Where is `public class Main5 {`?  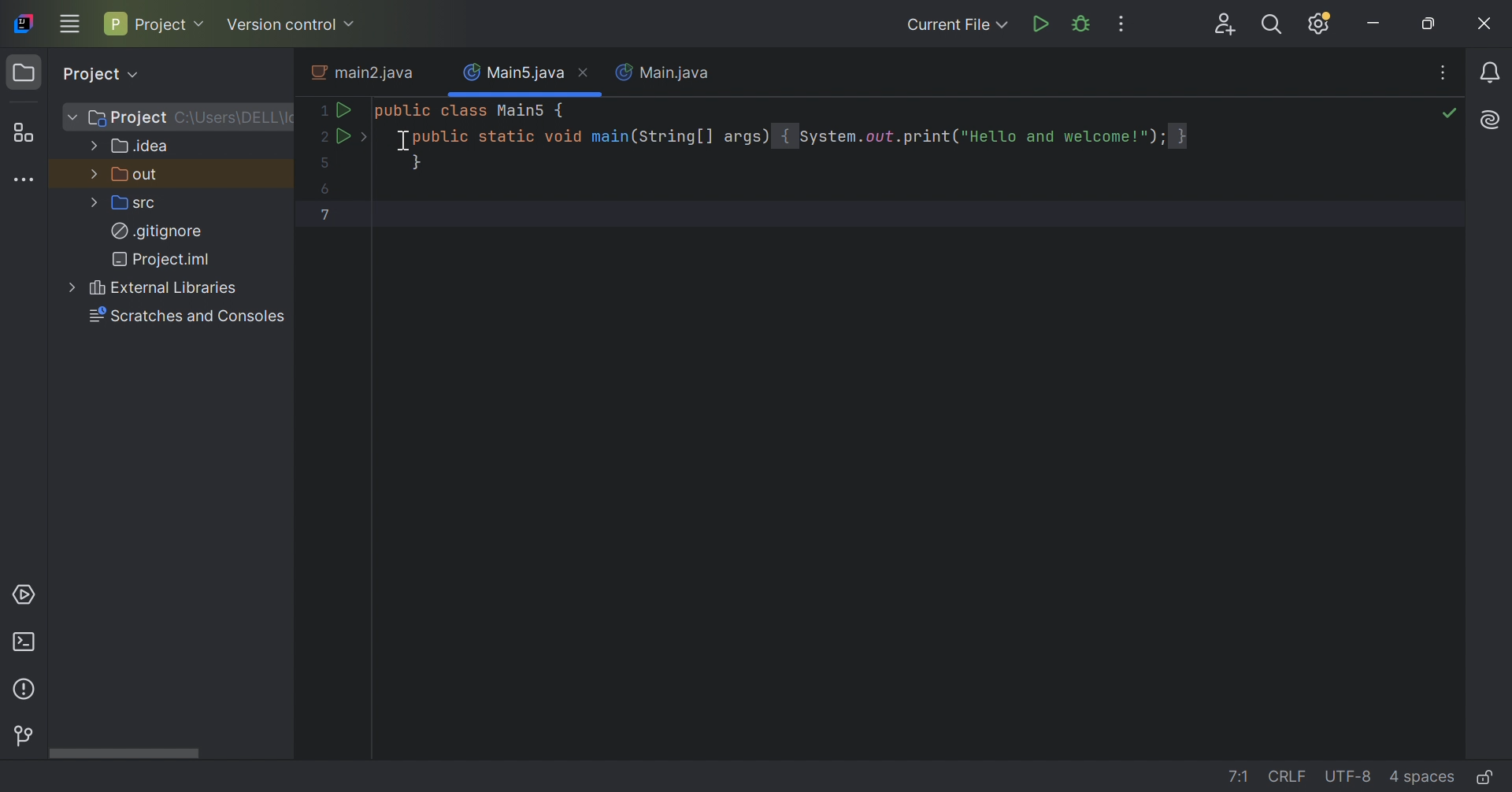 public class Main5 { is located at coordinates (471, 112).